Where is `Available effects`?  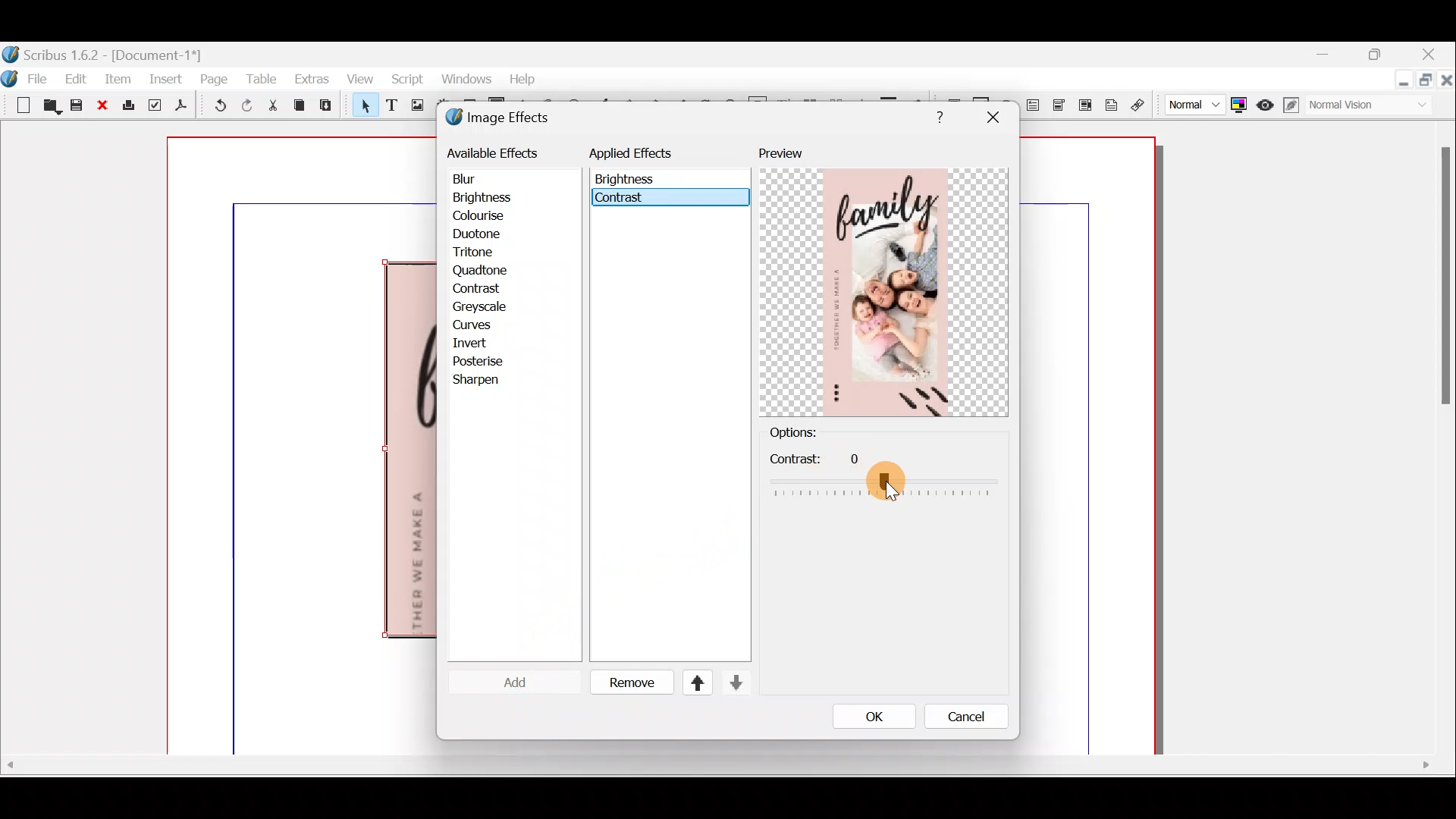
Available effects is located at coordinates (495, 152).